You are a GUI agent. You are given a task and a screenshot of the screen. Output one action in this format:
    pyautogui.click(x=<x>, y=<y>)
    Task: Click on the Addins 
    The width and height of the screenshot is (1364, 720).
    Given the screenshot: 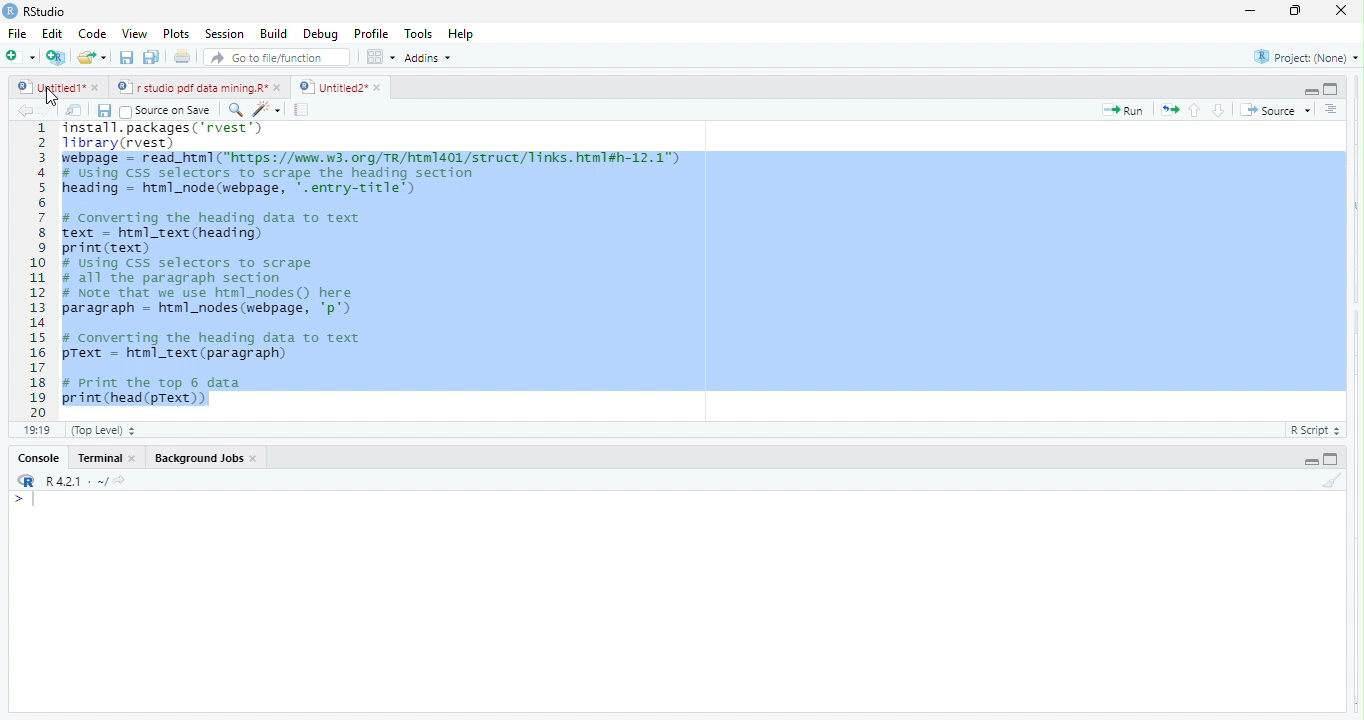 What is the action you would take?
    pyautogui.click(x=432, y=57)
    